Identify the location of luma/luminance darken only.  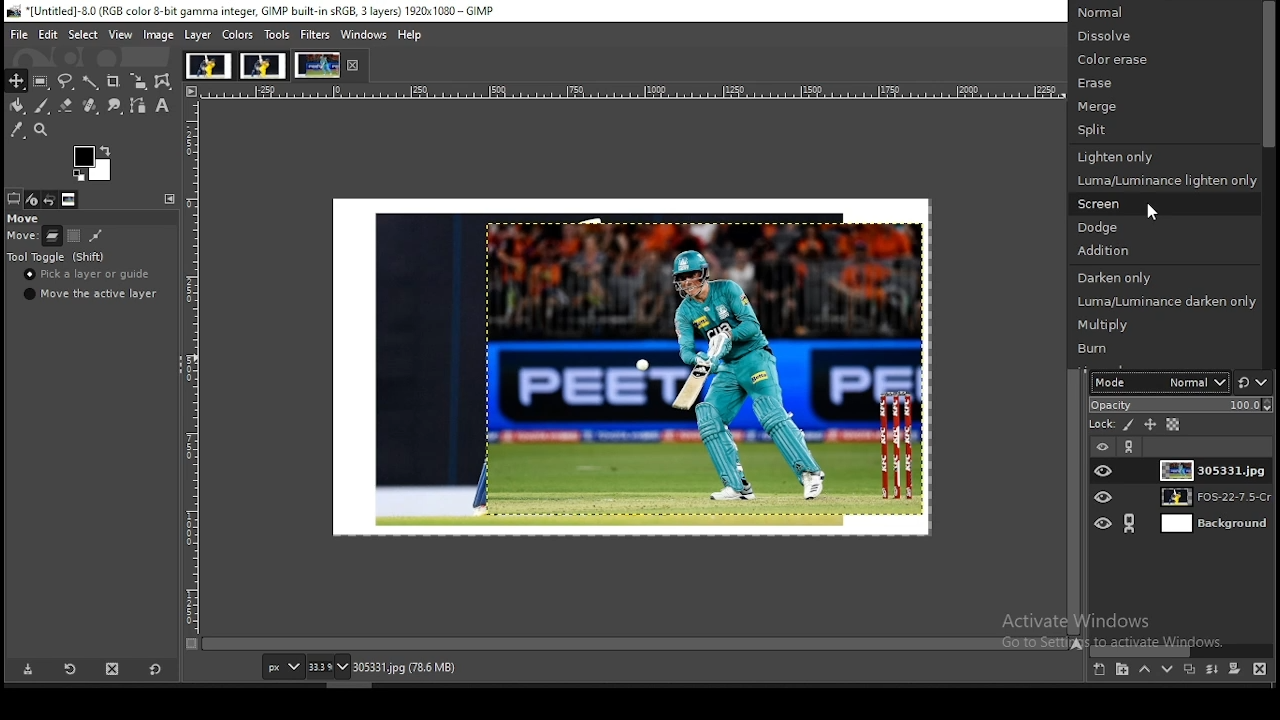
(1164, 299).